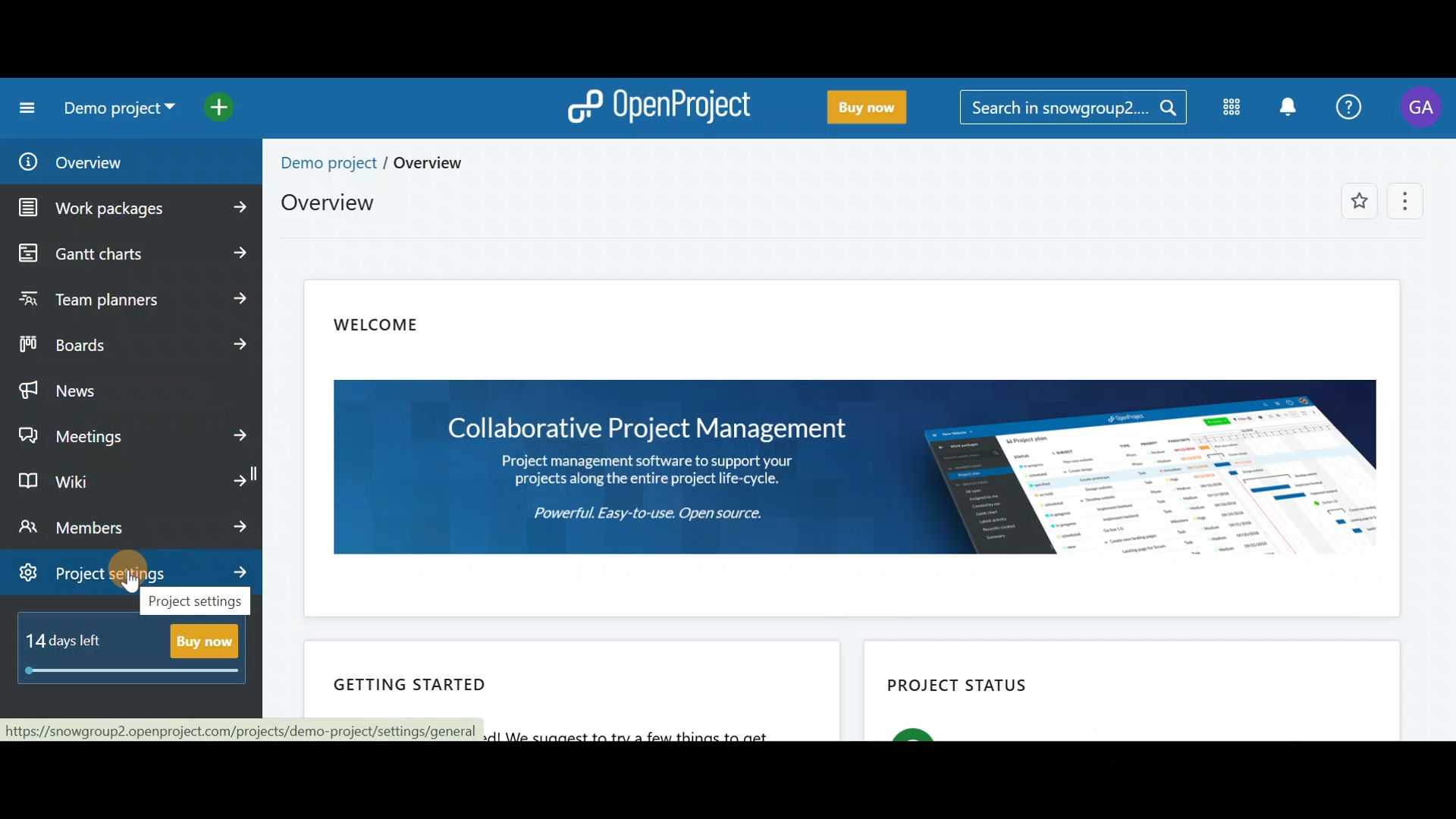 The width and height of the screenshot is (1456, 819). What do you see at coordinates (130, 573) in the screenshot?
I see `Project settings` at bounding box center [130, 573].